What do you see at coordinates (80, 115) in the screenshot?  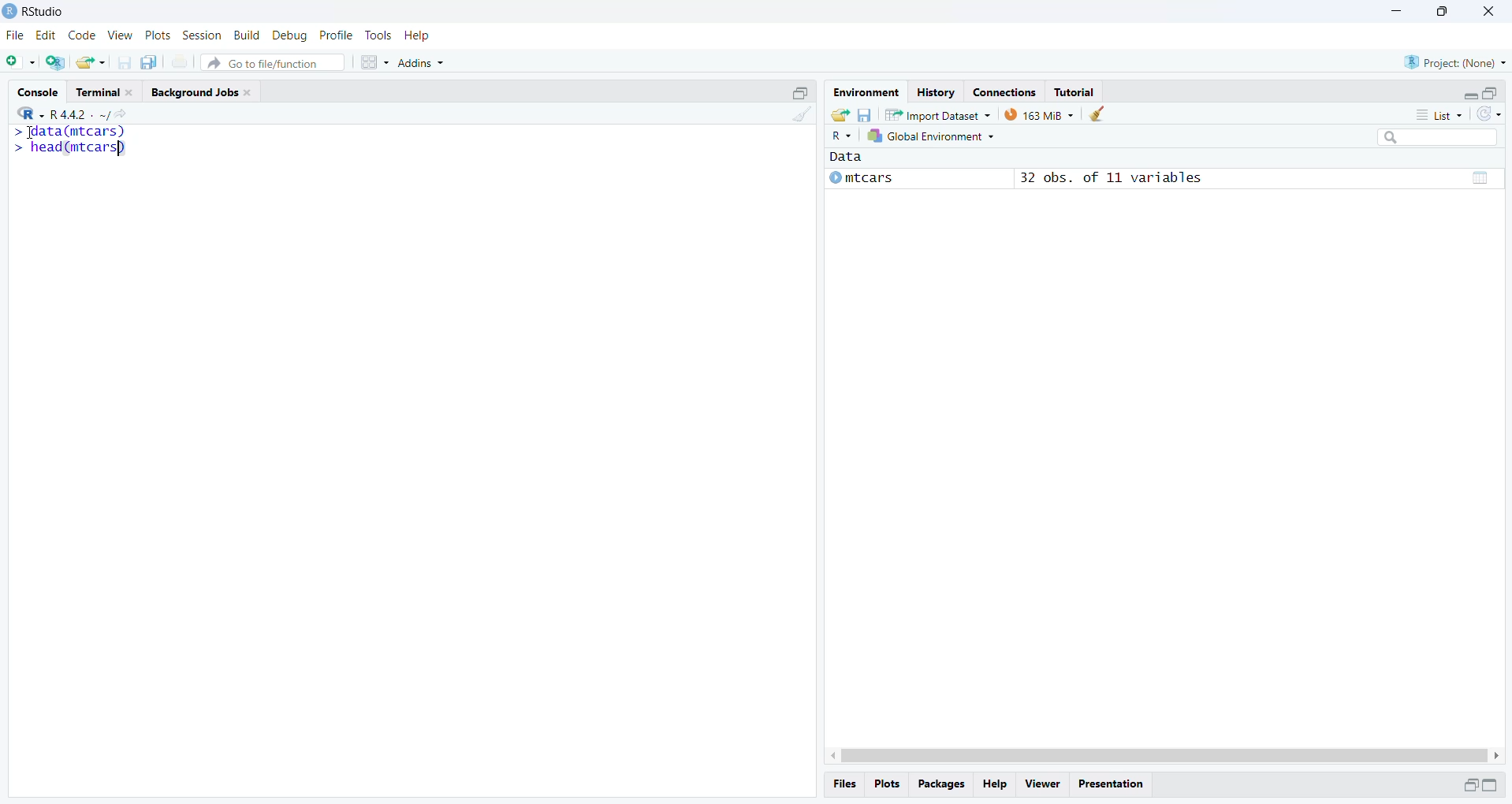 I see `R 4.4.2 ~/` at bounding box center [80, 115].